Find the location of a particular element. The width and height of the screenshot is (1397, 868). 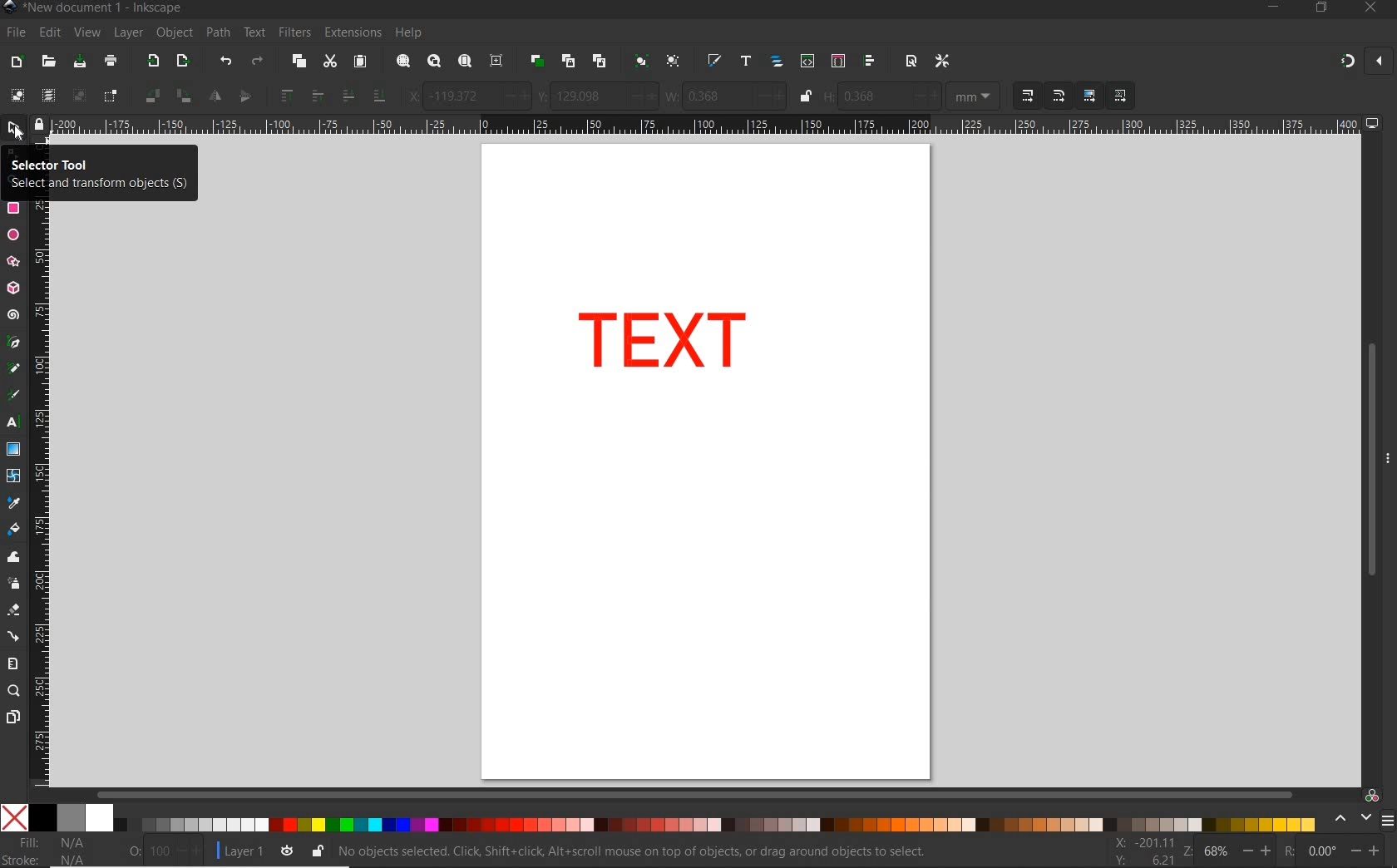

CURRENT LAYER: LAYER 1 is located at coordinates (242, 853).